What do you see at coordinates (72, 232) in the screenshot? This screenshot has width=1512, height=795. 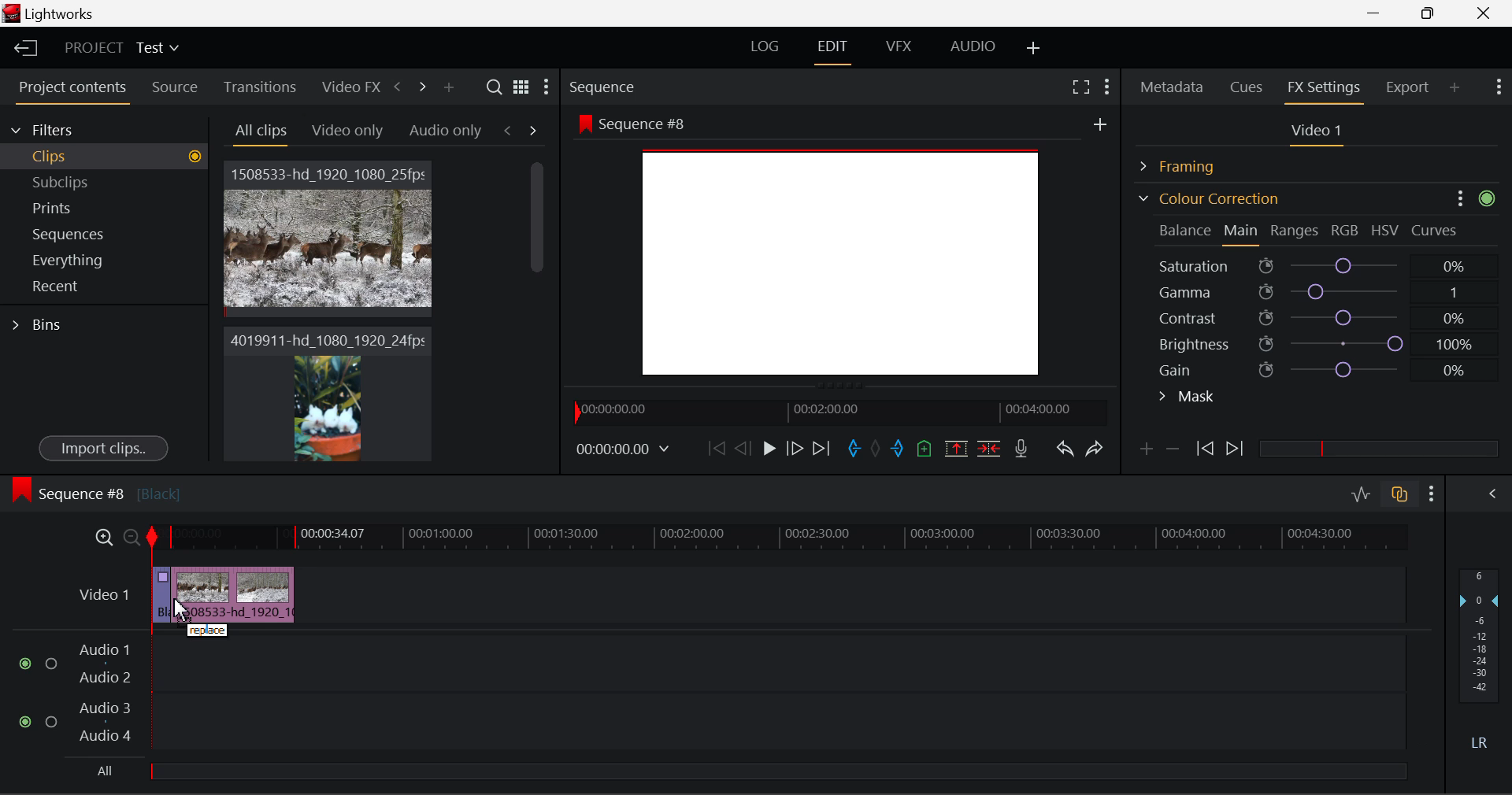 I see `Sequences` at bounding box center [72, 232].